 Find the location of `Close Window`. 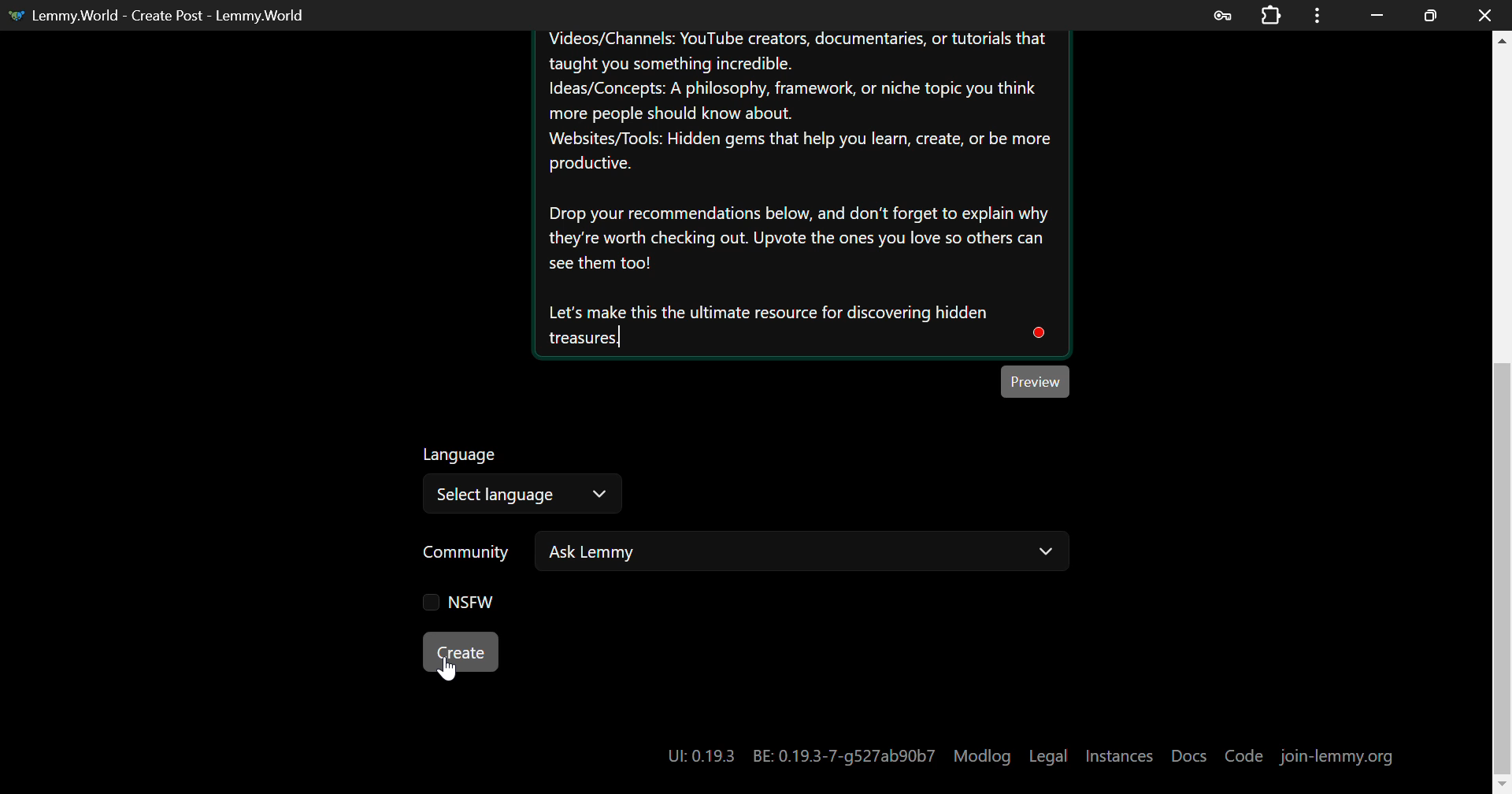

Close Window is located at coordinates (1485, 13).